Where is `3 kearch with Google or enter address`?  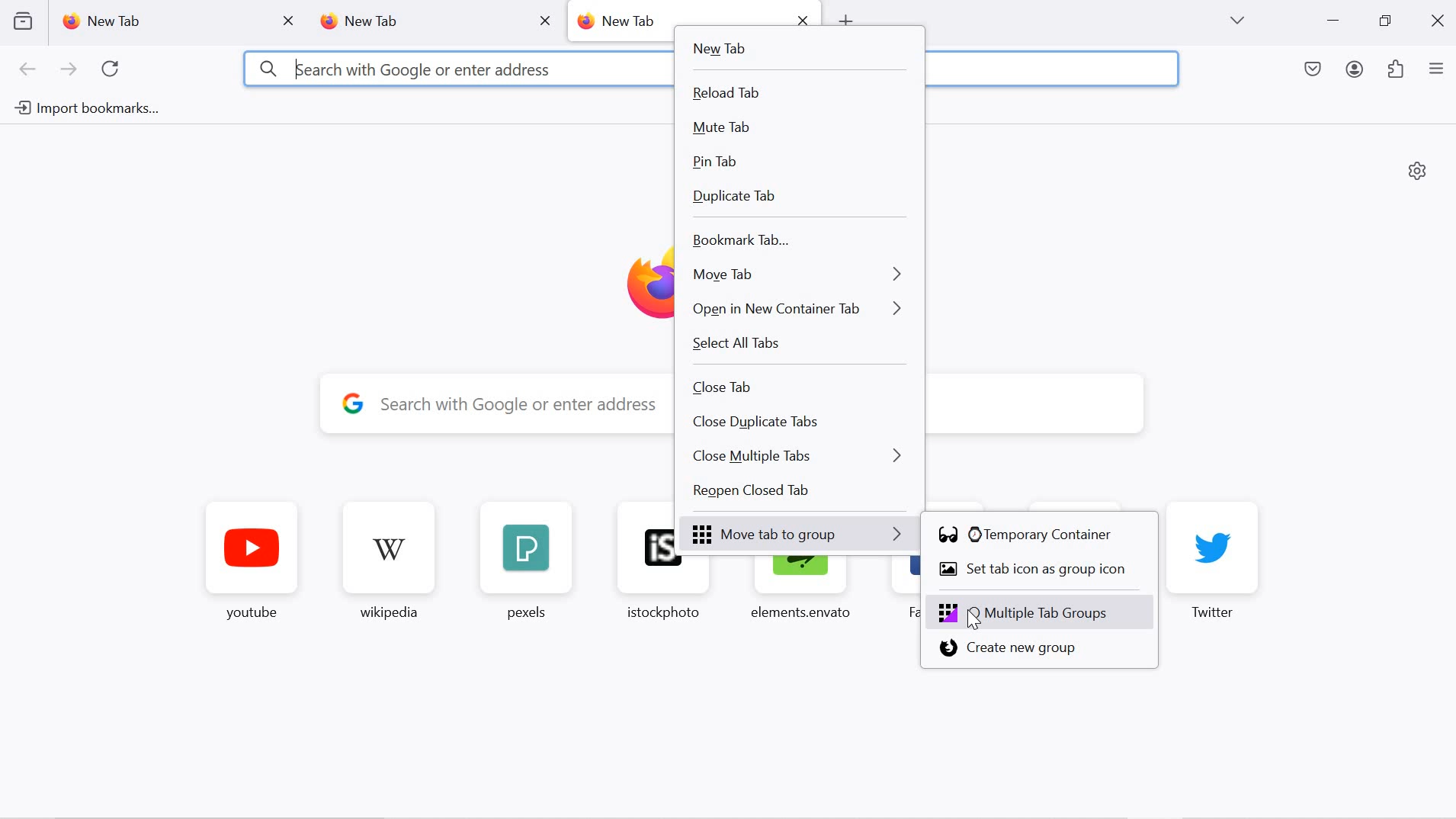
3 kearch with Google or enter address is located at coordinates (404, 69).